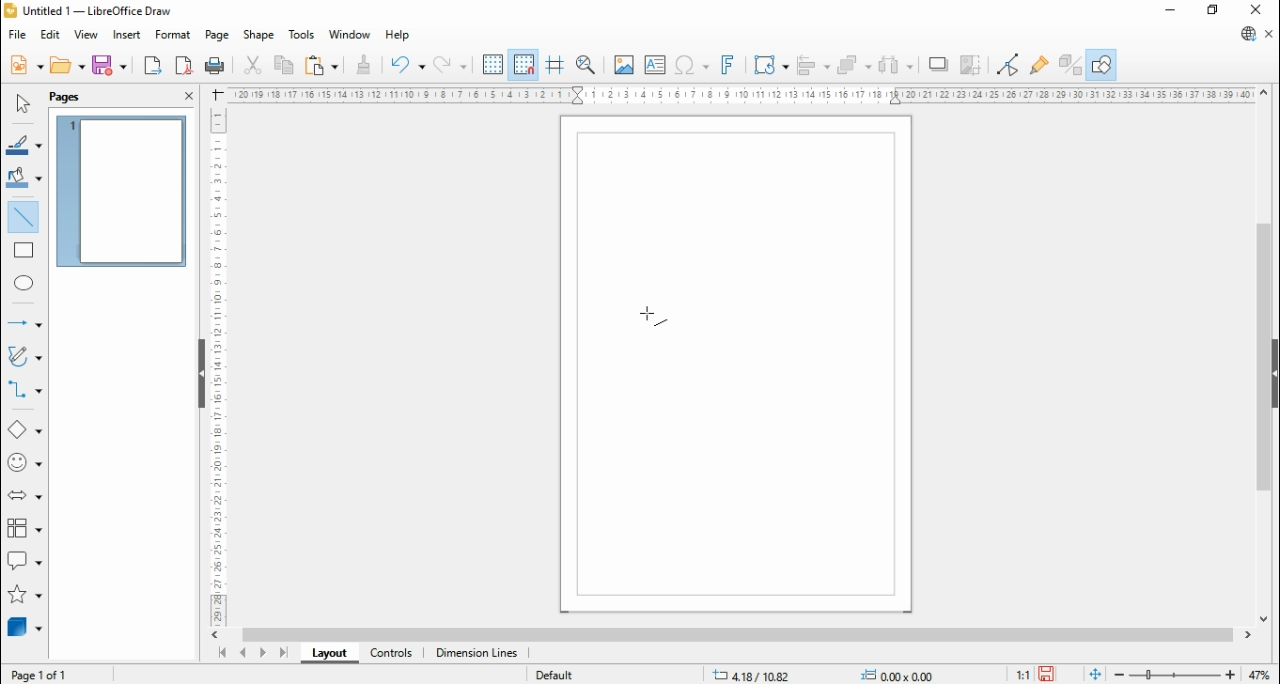 This screenshot has width=1280, height=684. What do you see at coordinates (284, 652) in the screenshot?
I see `last page` at bounding box center [284, 652].